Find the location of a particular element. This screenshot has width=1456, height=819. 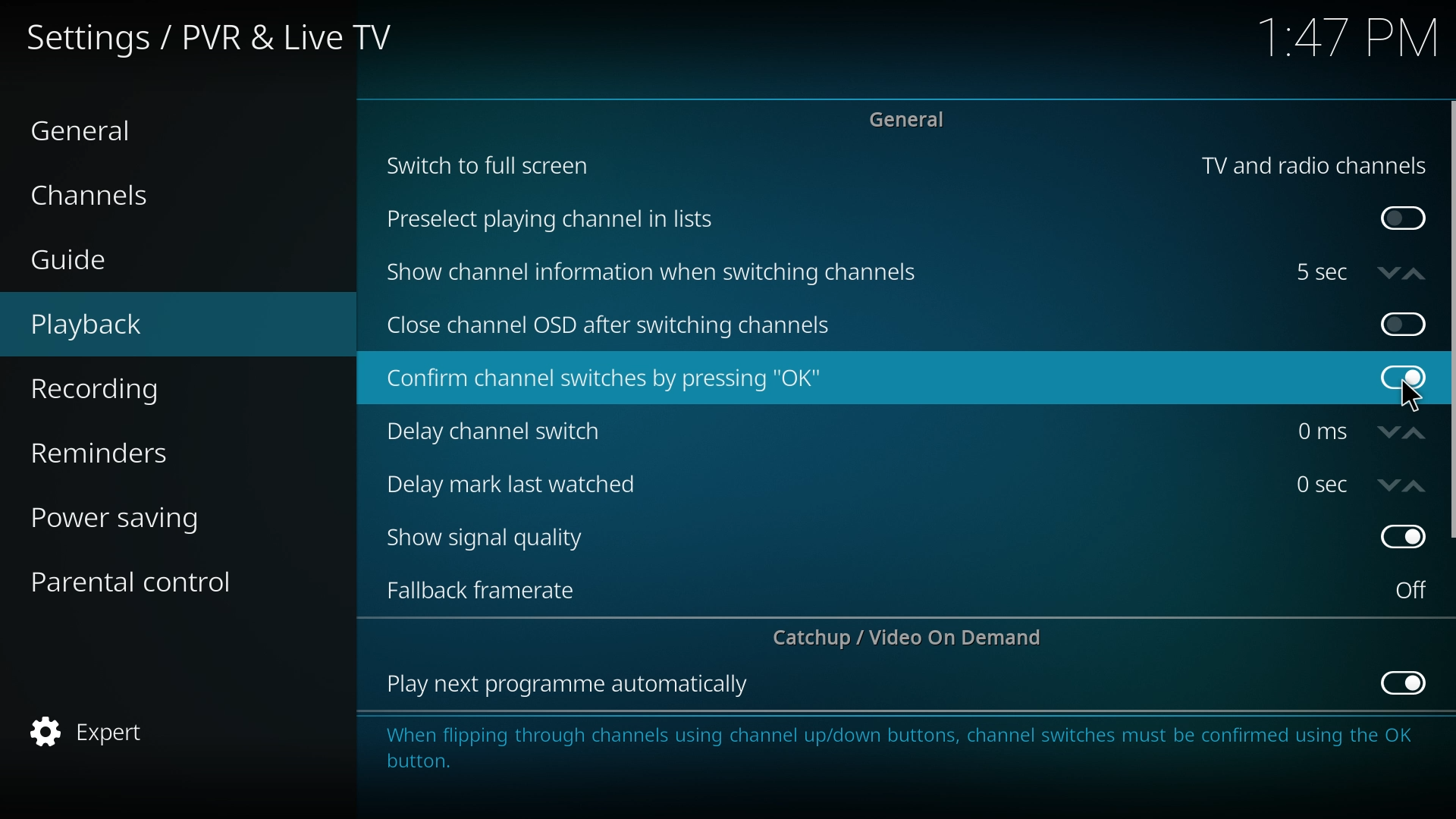

fall back framerate is located at coordinates (492, 588).